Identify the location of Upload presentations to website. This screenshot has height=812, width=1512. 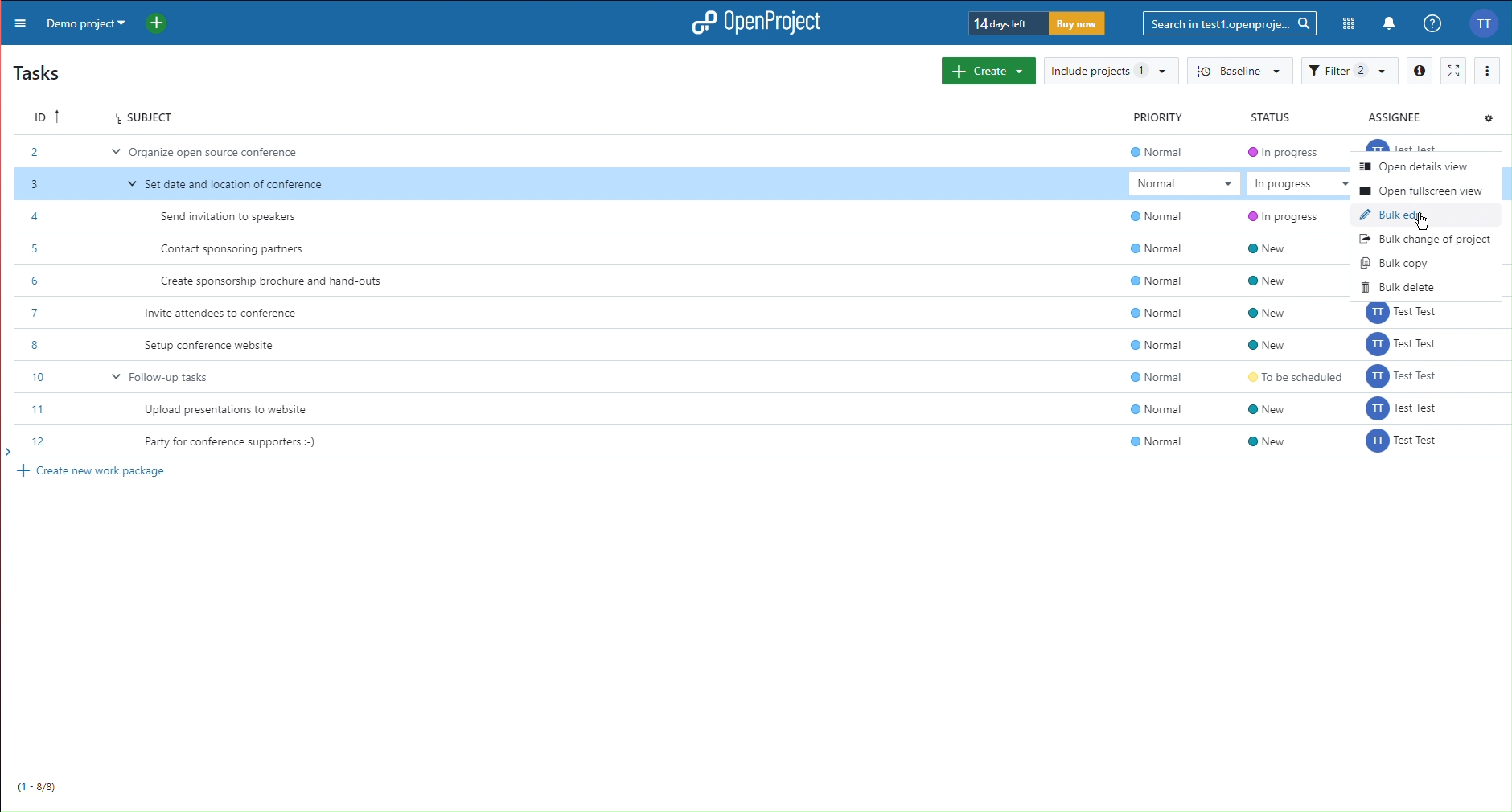
(234, 411).